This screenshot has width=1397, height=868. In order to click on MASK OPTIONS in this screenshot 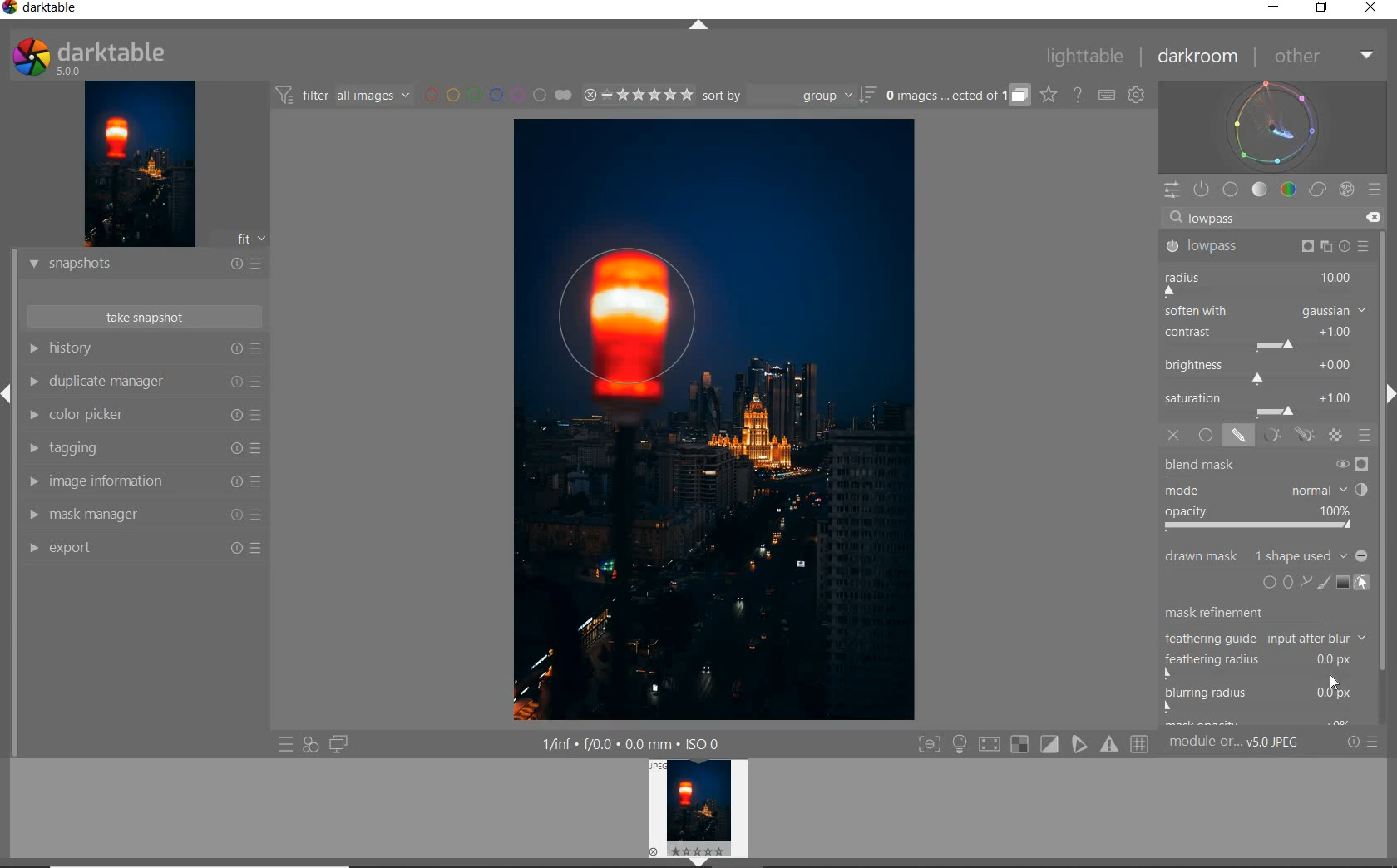, I will do `click(1286, 436)`.